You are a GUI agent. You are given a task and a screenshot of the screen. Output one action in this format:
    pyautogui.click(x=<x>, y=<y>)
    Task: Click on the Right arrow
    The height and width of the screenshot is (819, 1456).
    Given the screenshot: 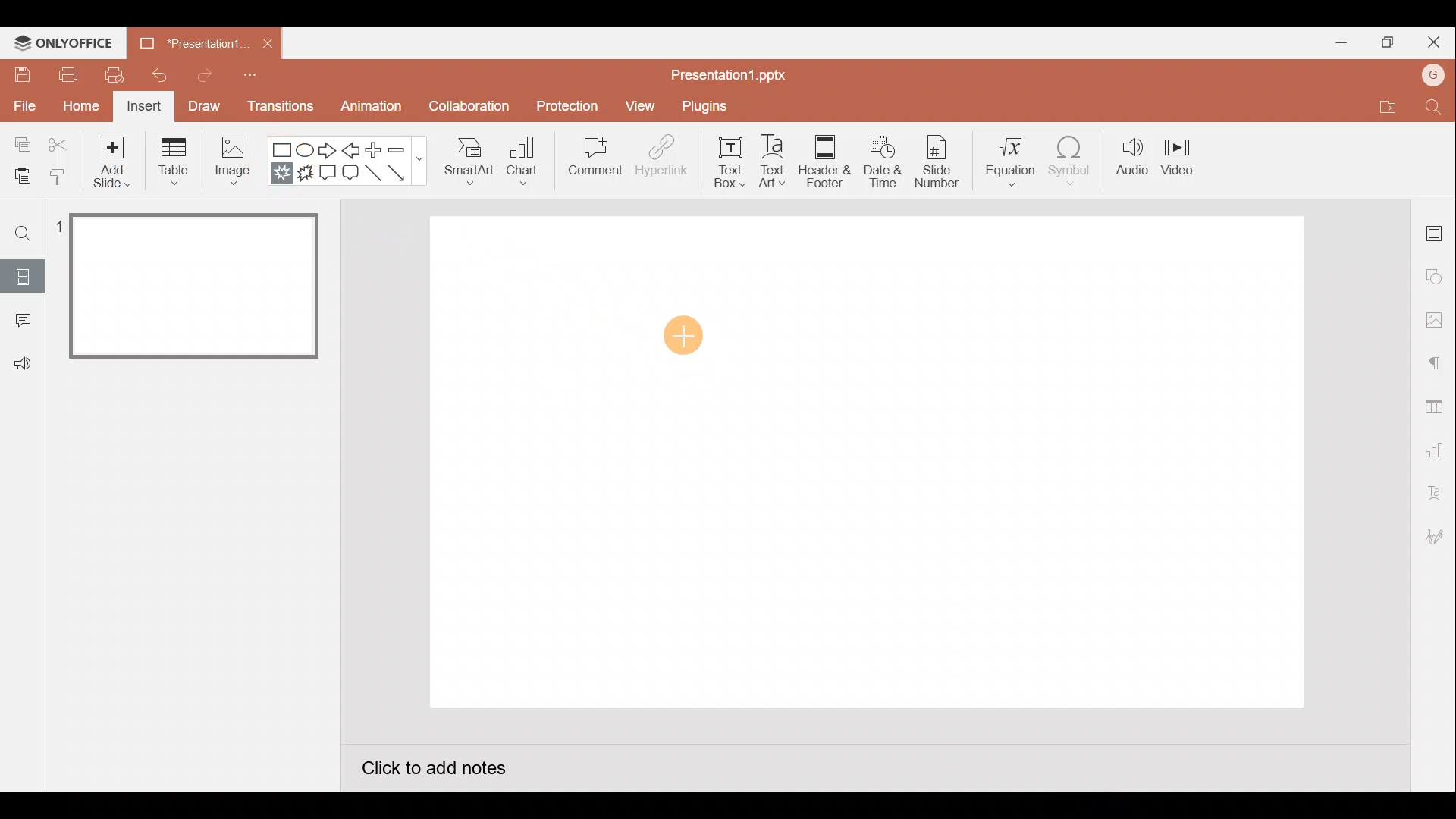 What is the action you would take?
    pyautogui.click(x=326, y=152)
    